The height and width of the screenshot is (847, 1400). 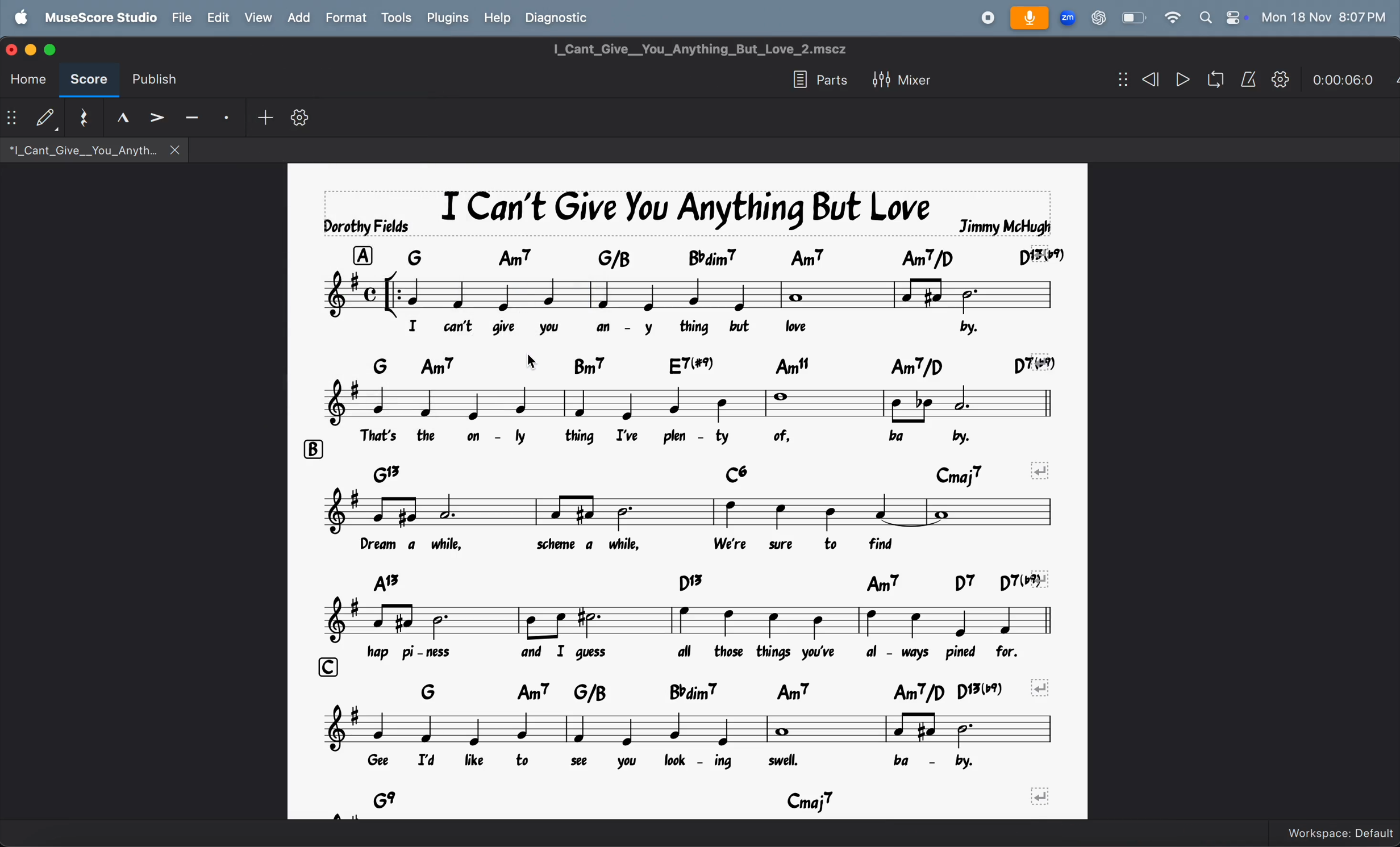 I want to click on rows, so click(x=325, y=666).